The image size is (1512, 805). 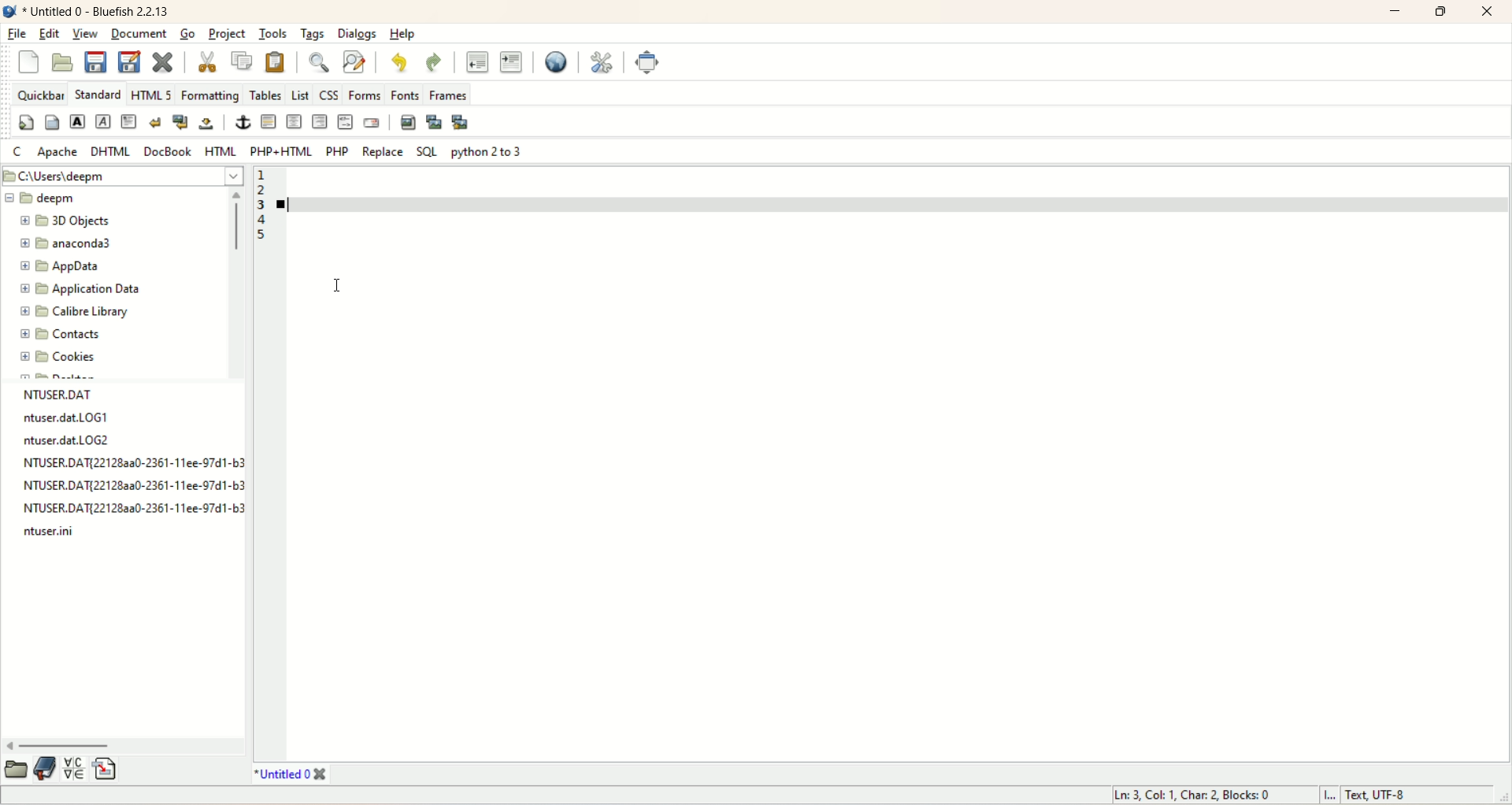 What do you see at coordinates (328, 95) in the screenshot?
I see `CSS` at bounding box center [328, 95].